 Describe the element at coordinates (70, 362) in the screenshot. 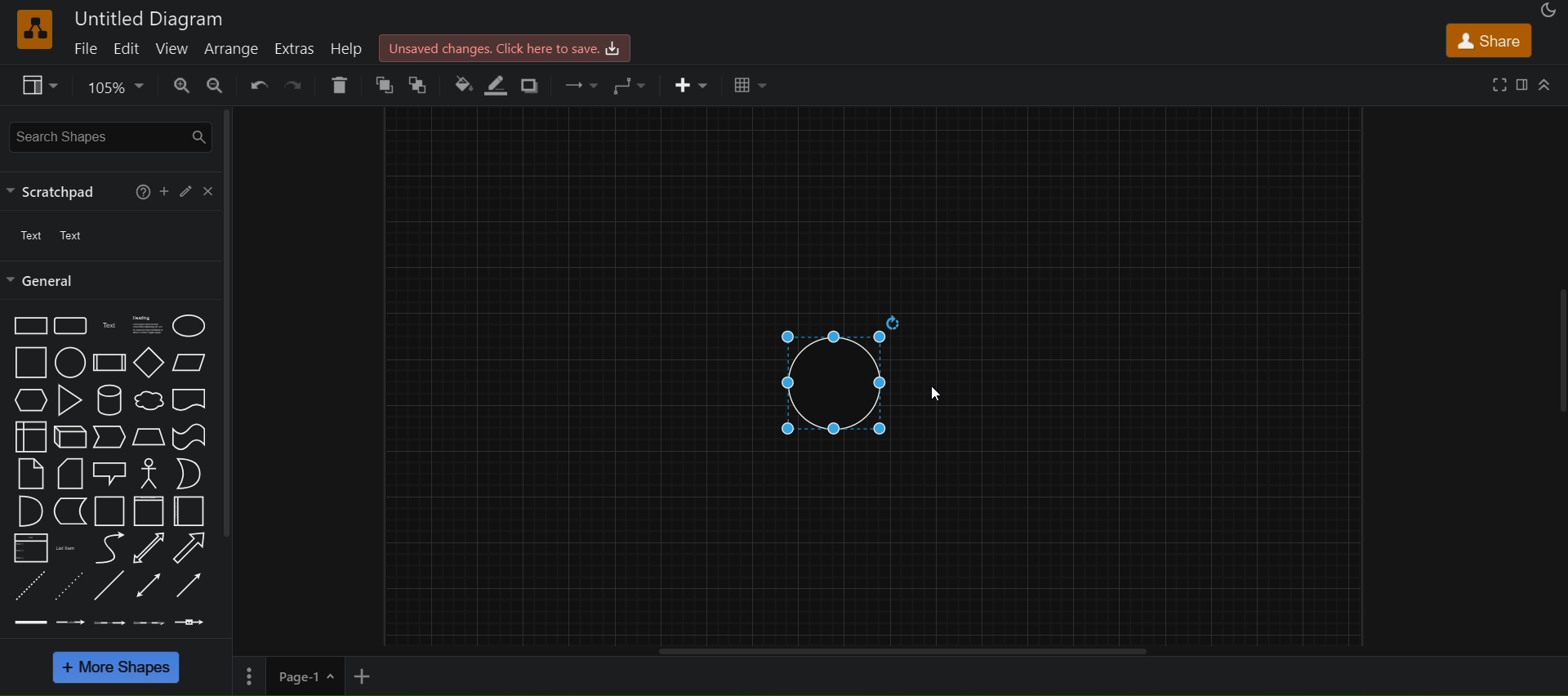

I see `circle` at that location.